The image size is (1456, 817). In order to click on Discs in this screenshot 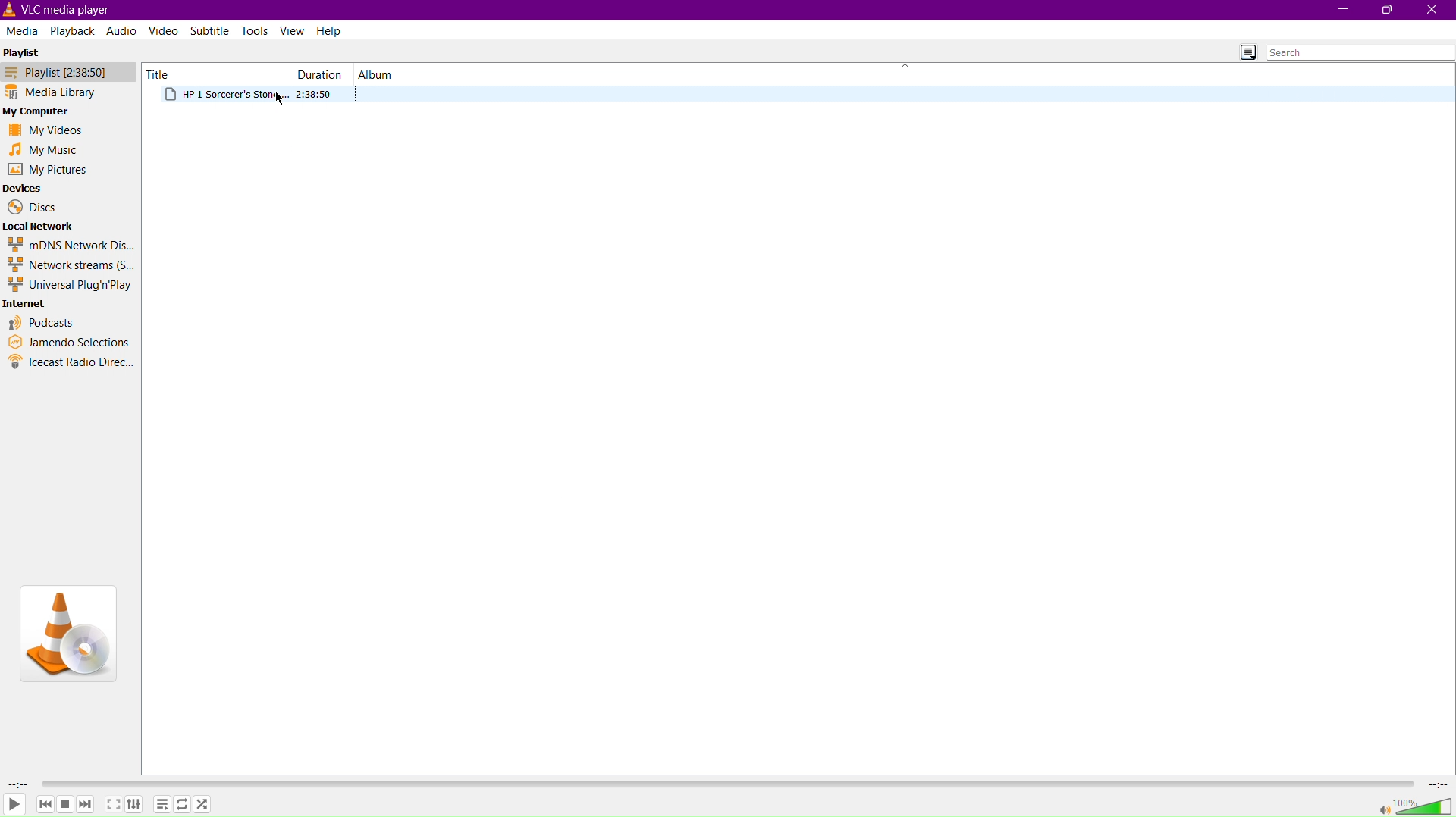, I will do `click(29, 207)`.